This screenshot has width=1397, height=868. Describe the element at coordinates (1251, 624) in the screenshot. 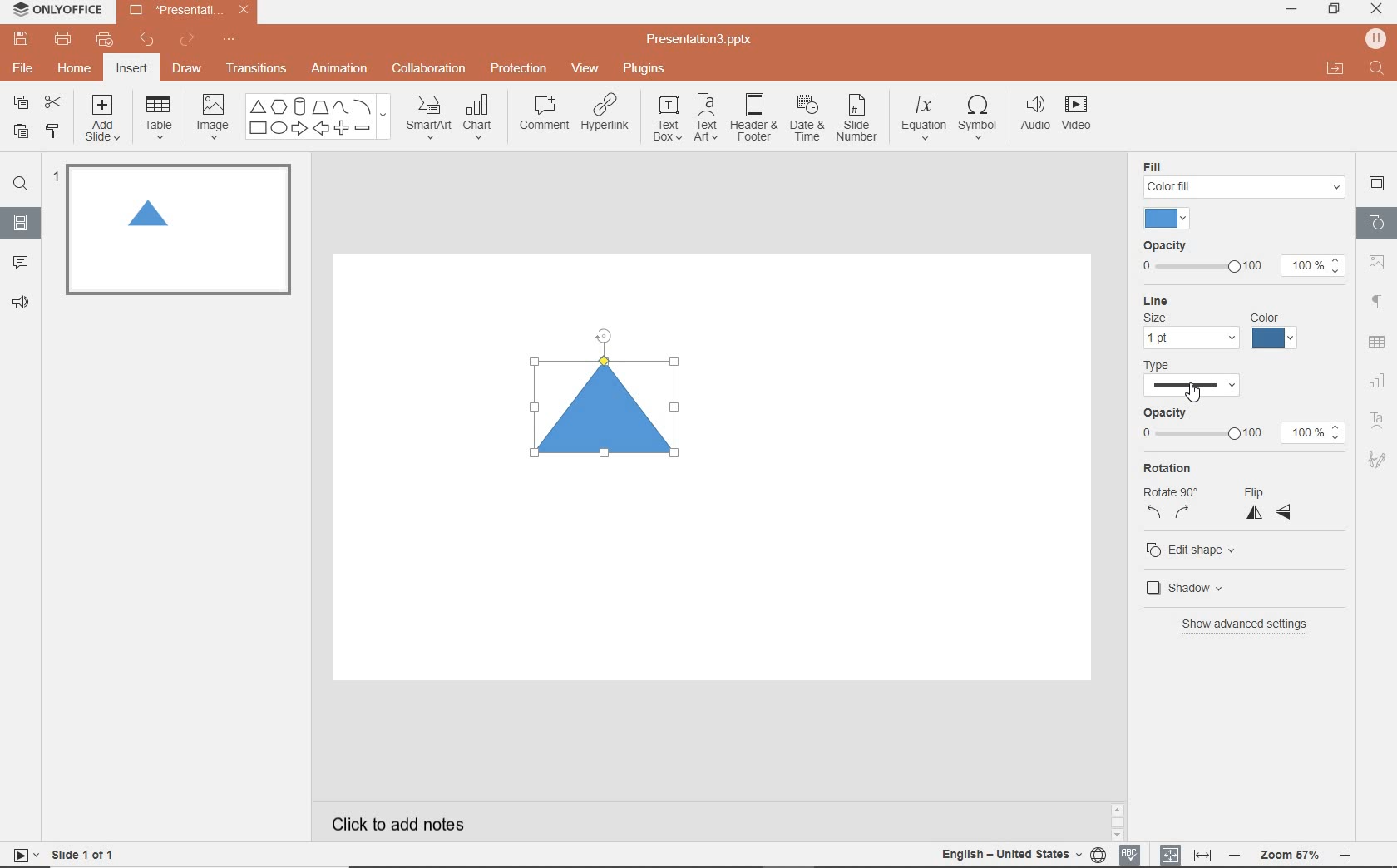

I see `show advanced settings` at that location.